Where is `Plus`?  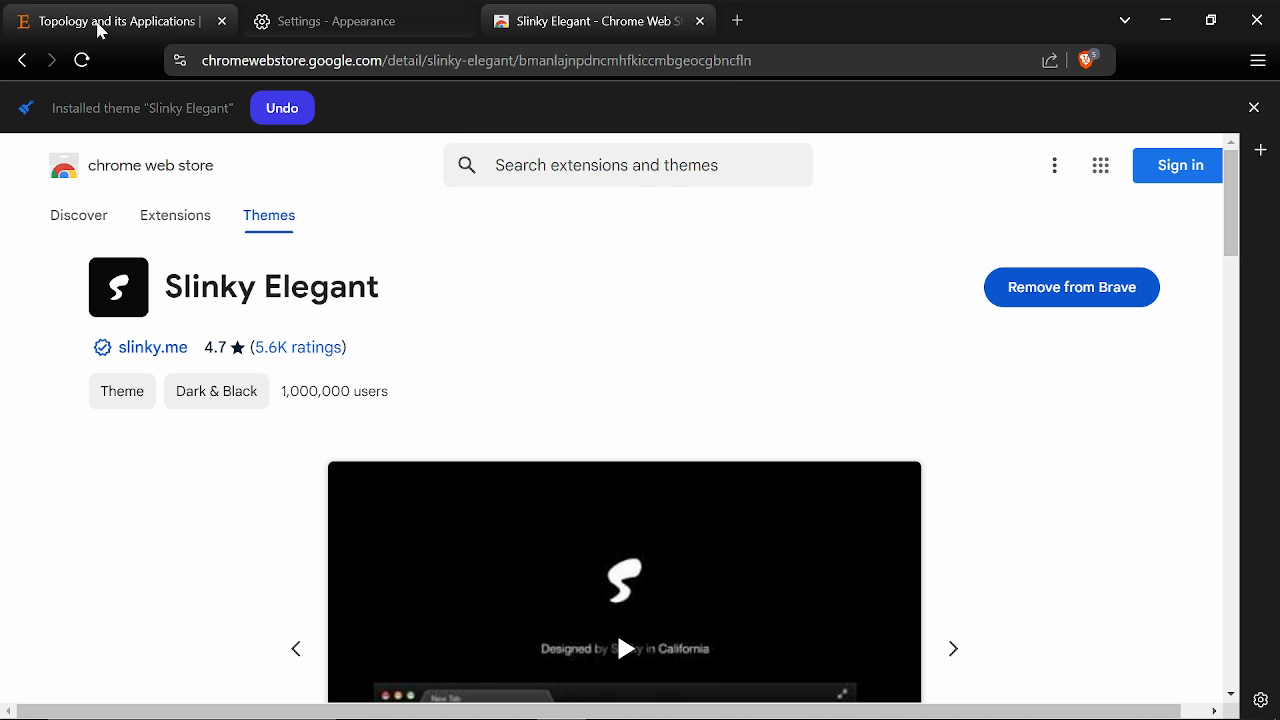
Plus is located at coordinates (1266, 149).